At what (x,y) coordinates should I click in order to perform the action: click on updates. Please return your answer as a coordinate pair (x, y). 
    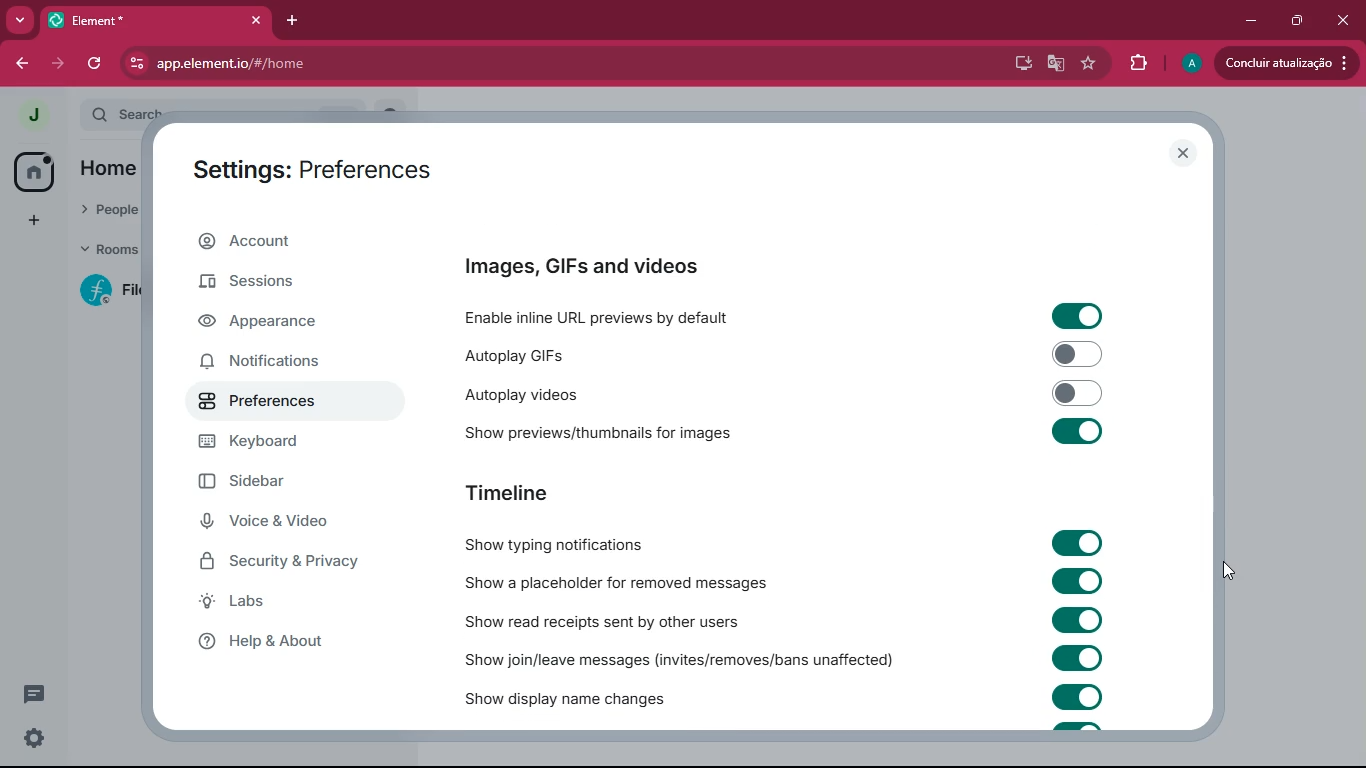
    Looking at the image, I should click on (1285, 64).